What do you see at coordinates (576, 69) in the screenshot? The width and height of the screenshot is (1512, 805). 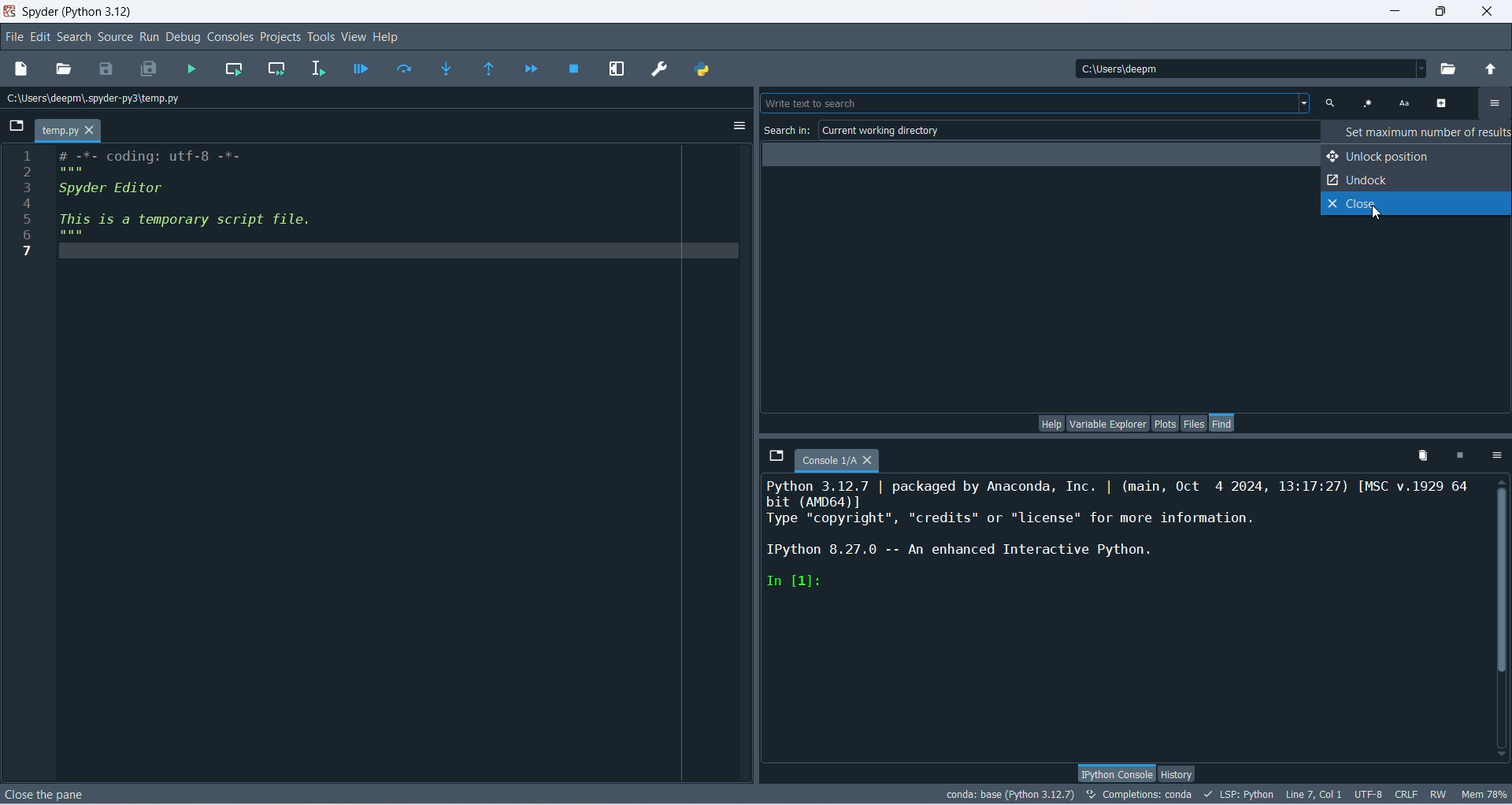 I see `stop debugging` at bounding box center [576, 69].